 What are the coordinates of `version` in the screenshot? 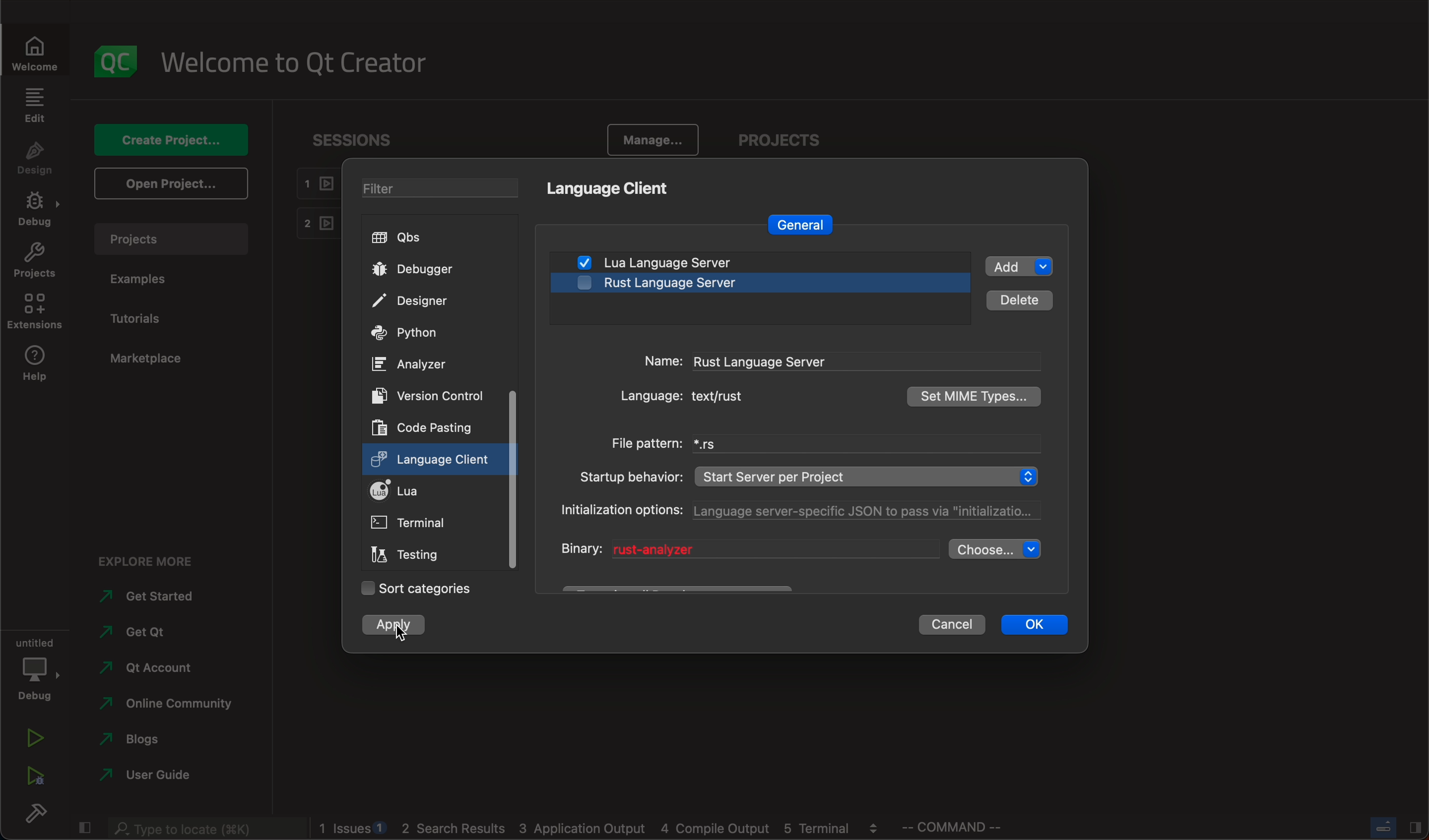 It's located at (428, 396).